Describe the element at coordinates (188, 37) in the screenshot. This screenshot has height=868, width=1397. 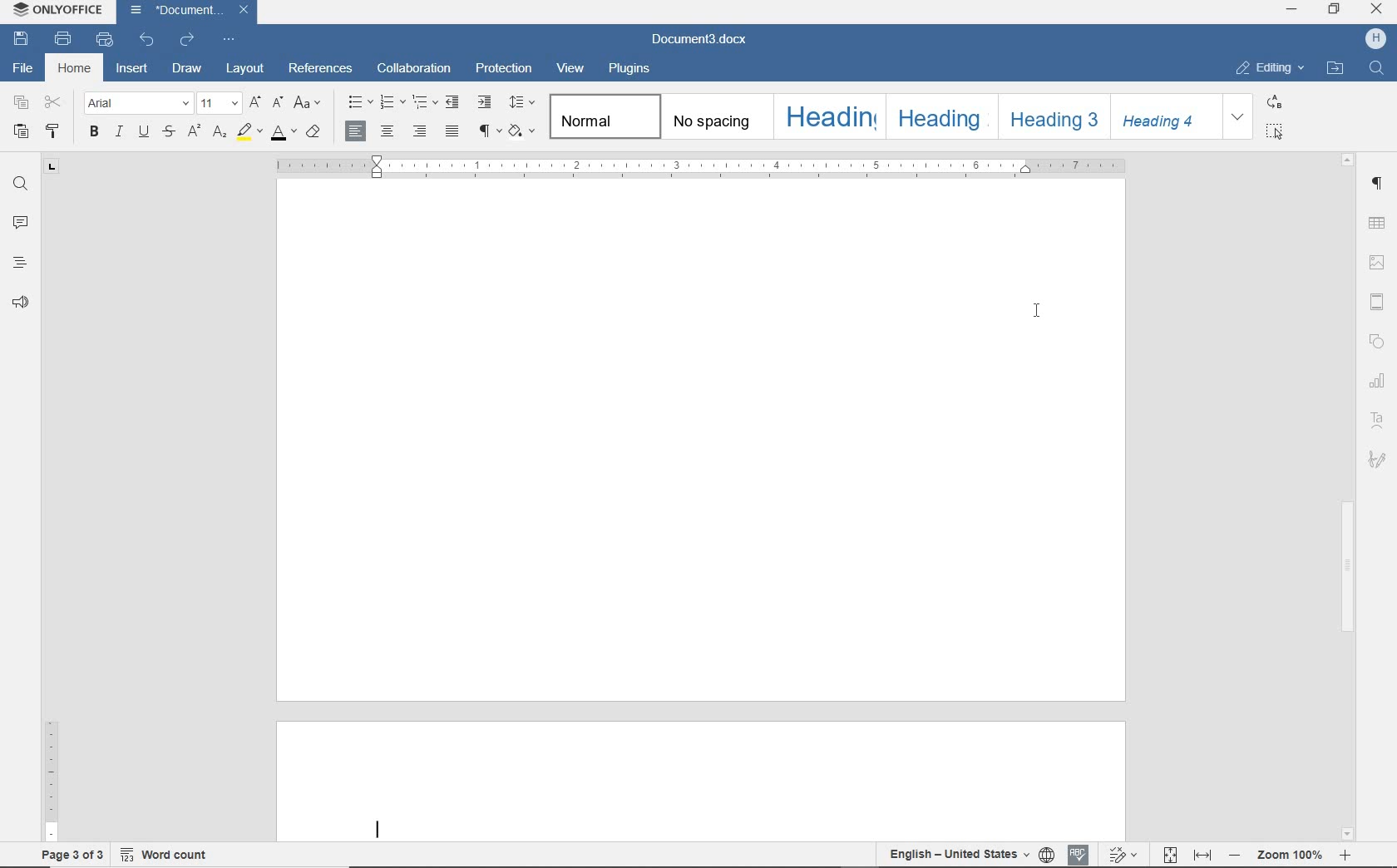
I see `REDO` at that location.